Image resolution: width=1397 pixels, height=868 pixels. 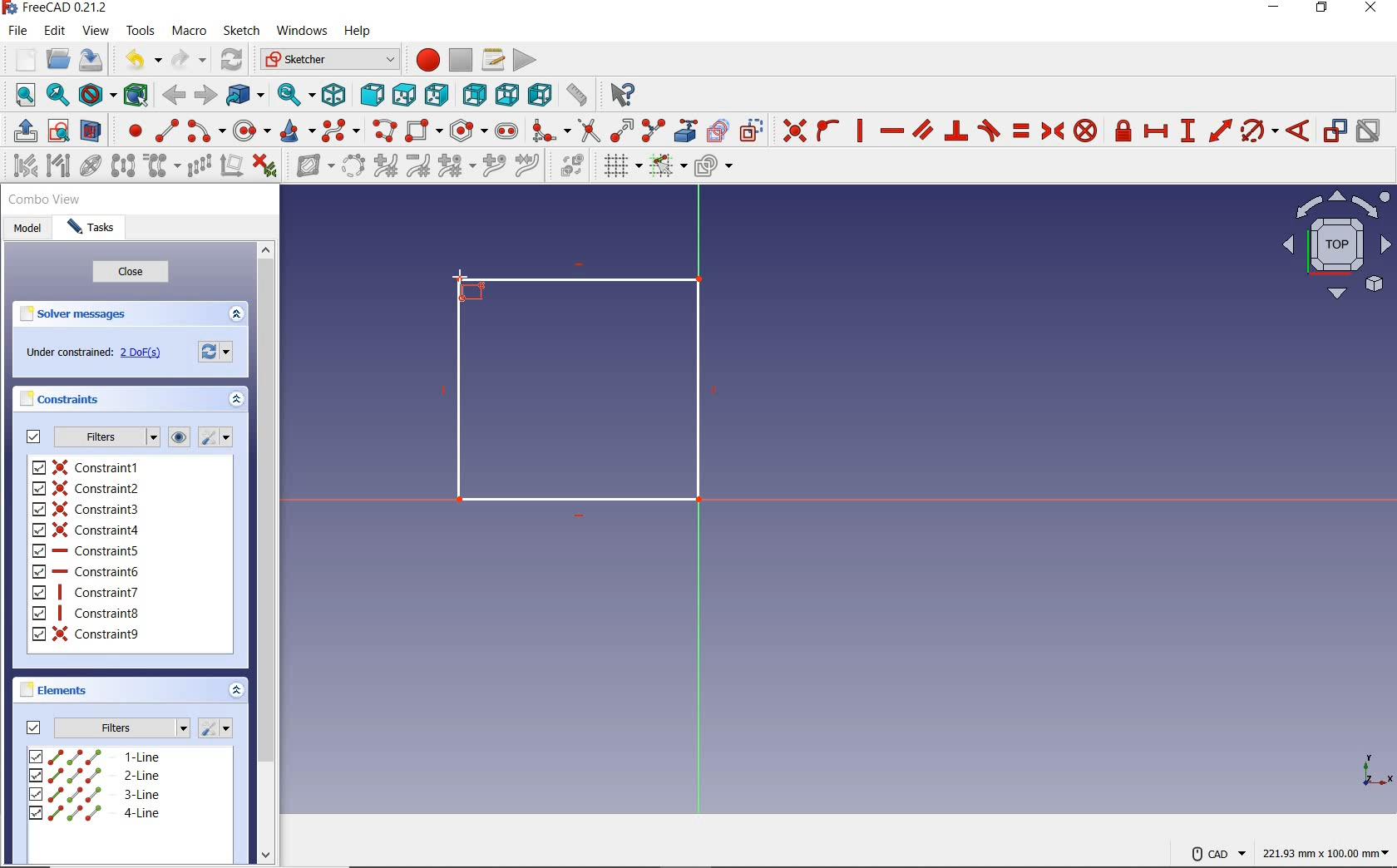 What do you see at coordinates (86, 528) in the screenshot?
I see `constraint4` at bounding box center [86, 528].